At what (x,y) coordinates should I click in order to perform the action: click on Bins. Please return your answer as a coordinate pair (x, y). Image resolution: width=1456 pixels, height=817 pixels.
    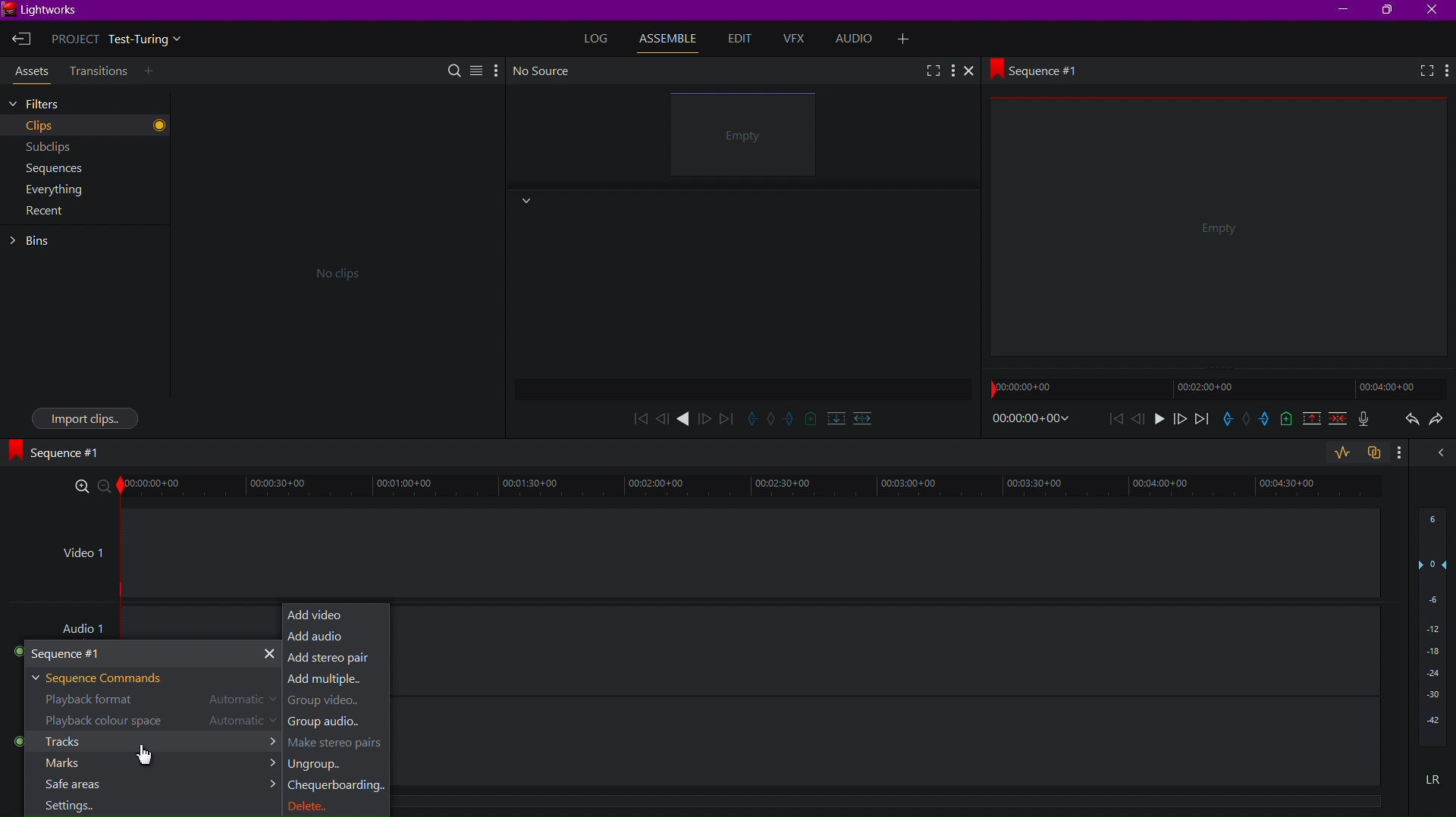
    Looking at the image, I should click on (37, 241).